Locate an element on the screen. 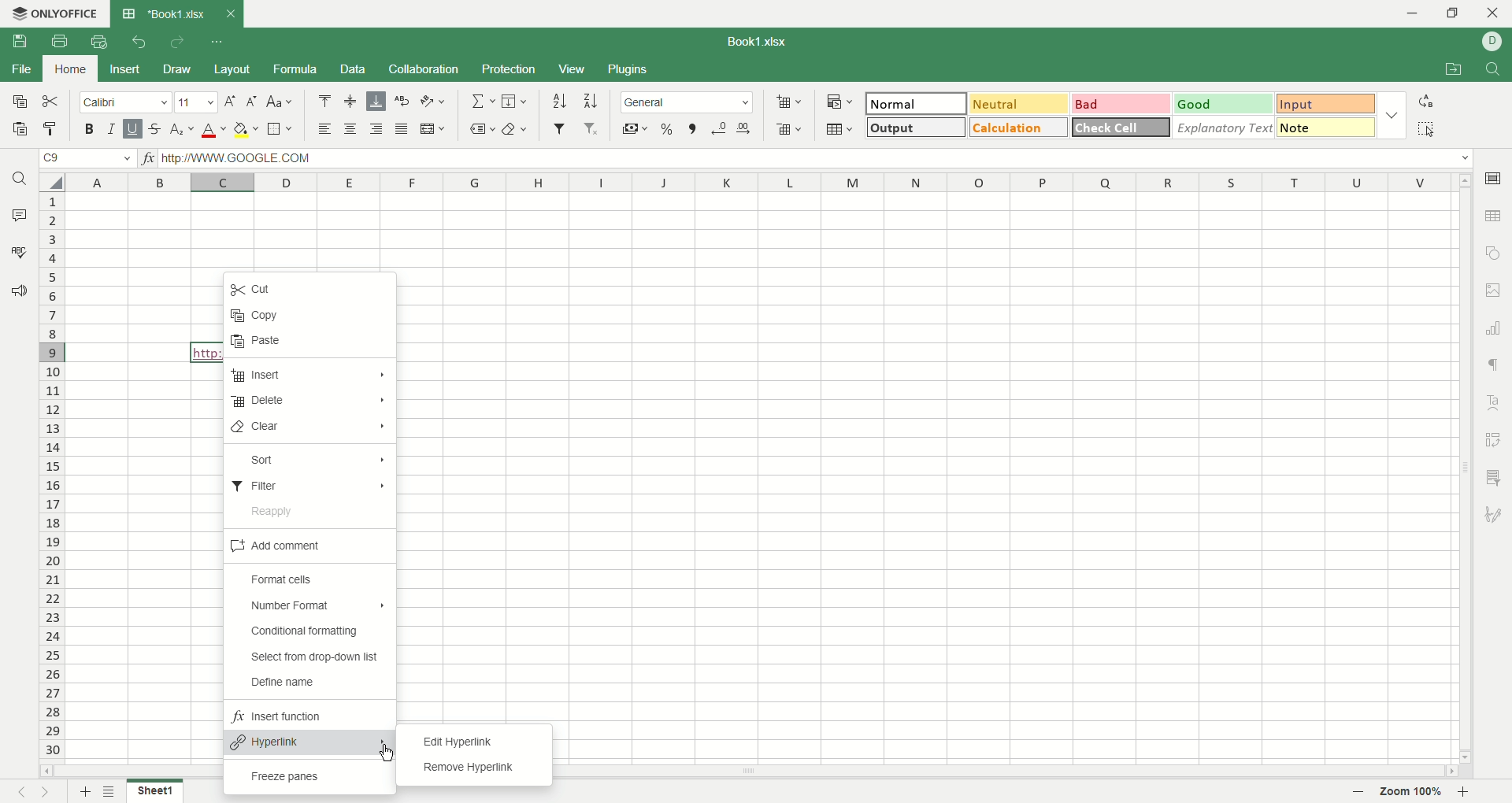  comment is located at coordinates (18, 212).